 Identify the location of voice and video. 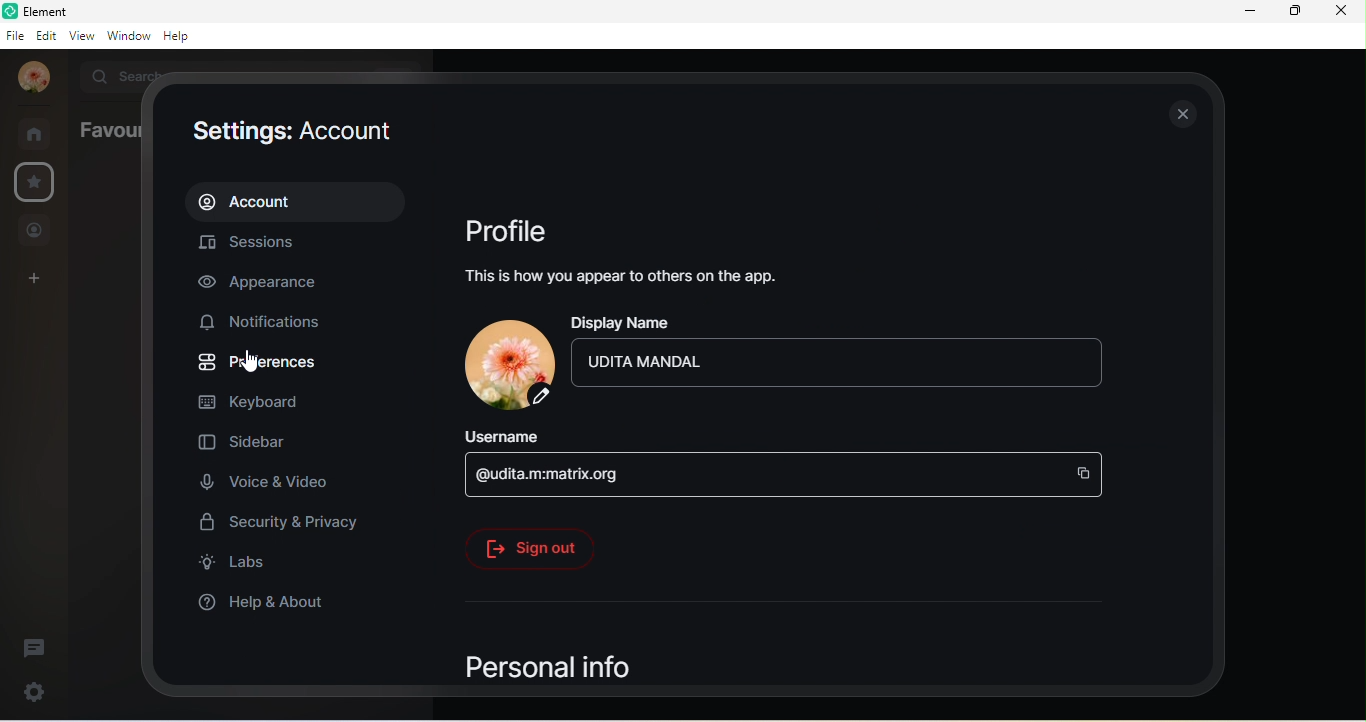
(274, 481).